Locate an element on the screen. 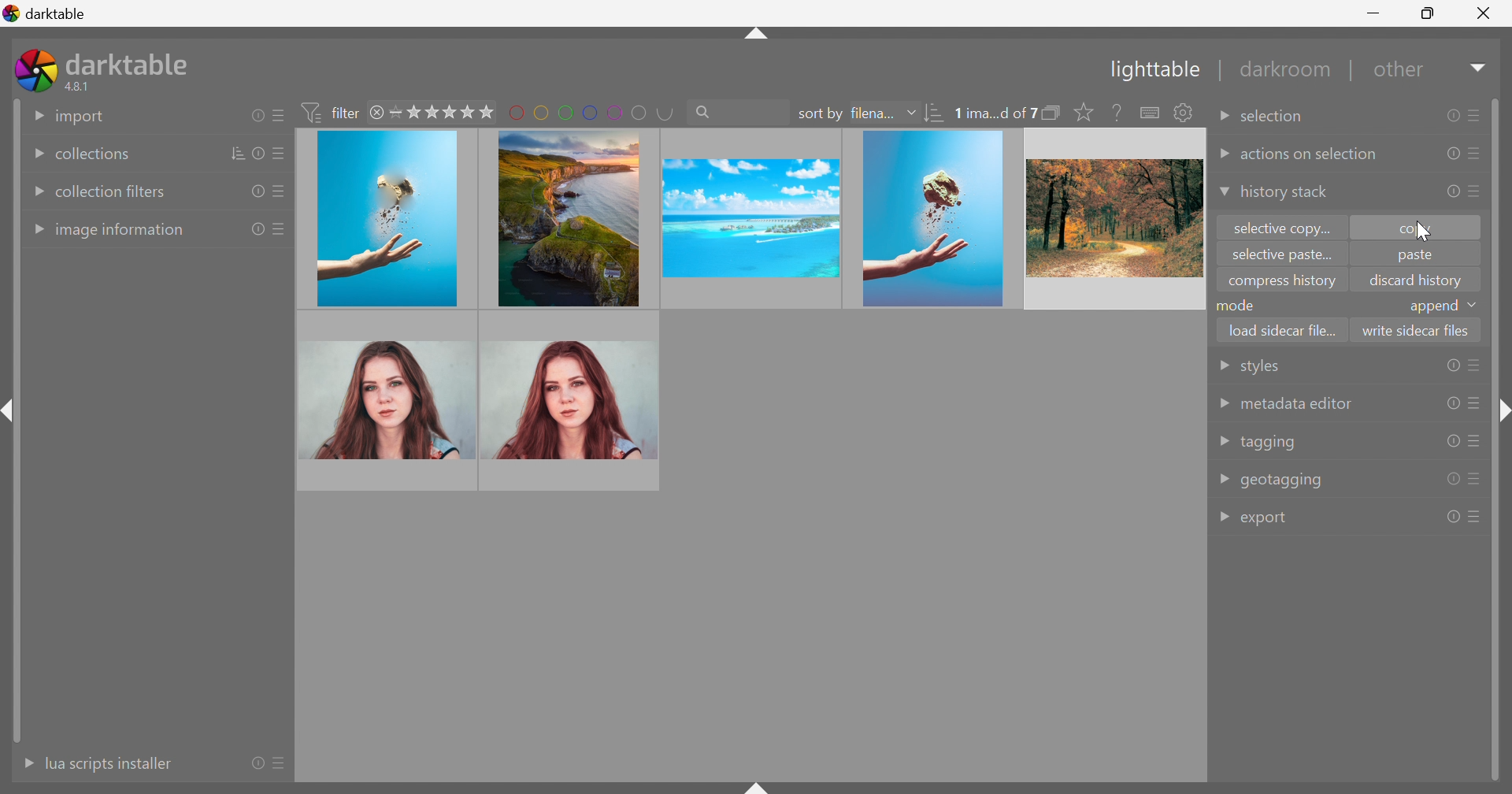  presets is located at coordinates (1475, 404).